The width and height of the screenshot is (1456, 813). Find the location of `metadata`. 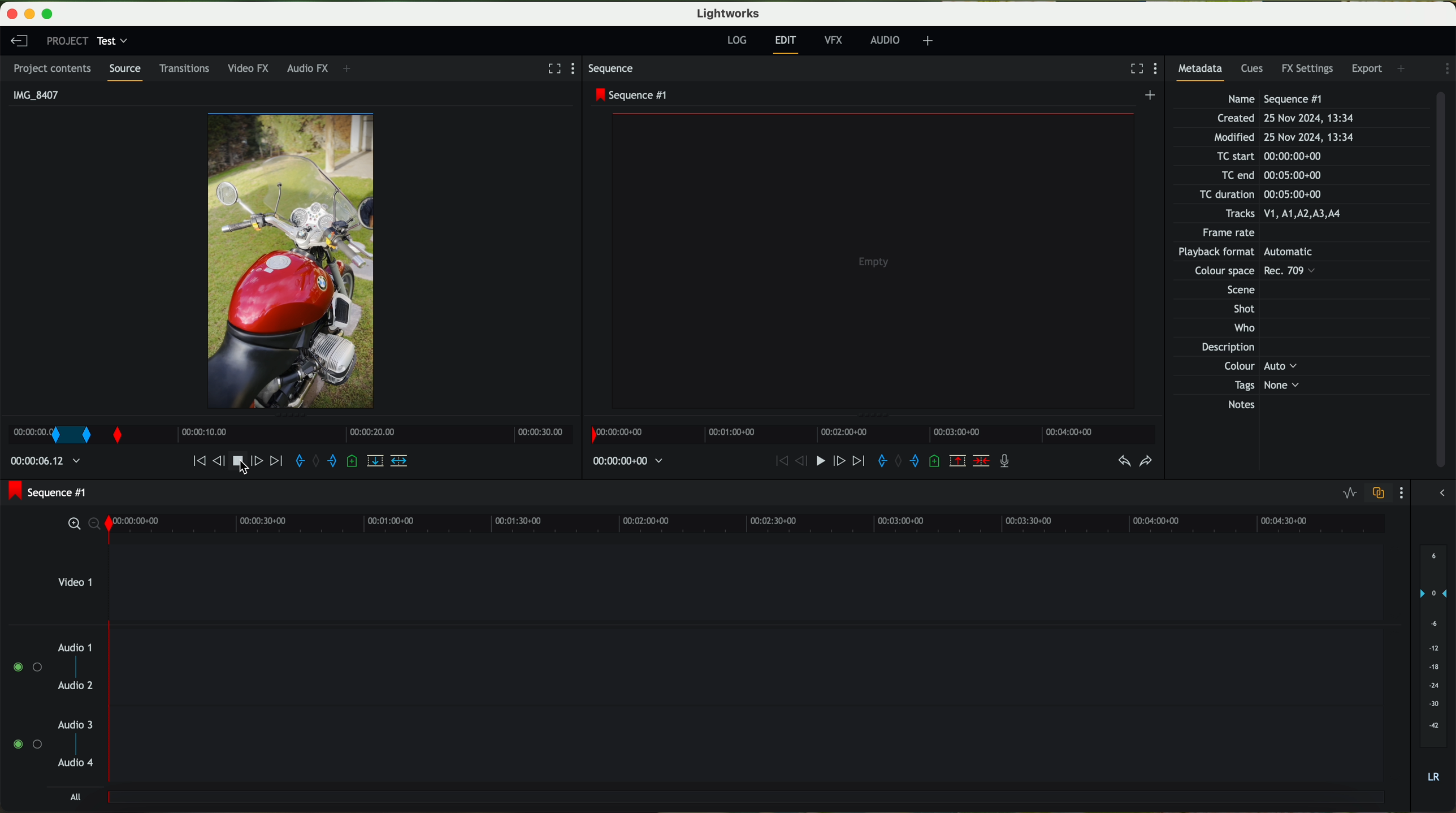

metadata is located at coordinates (1204, 71).